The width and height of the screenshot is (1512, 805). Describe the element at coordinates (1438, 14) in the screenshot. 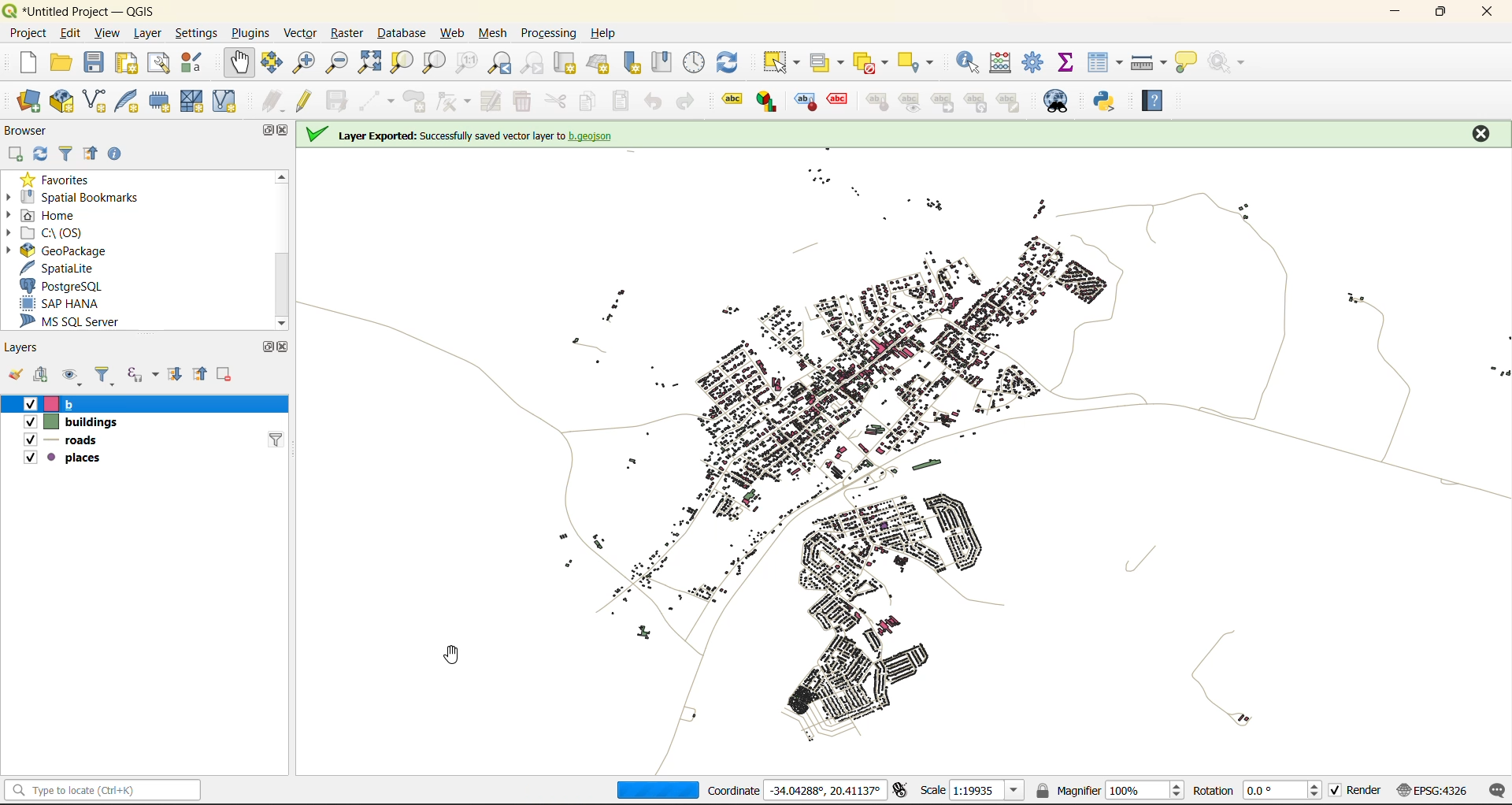

I see `maximize` at that location.